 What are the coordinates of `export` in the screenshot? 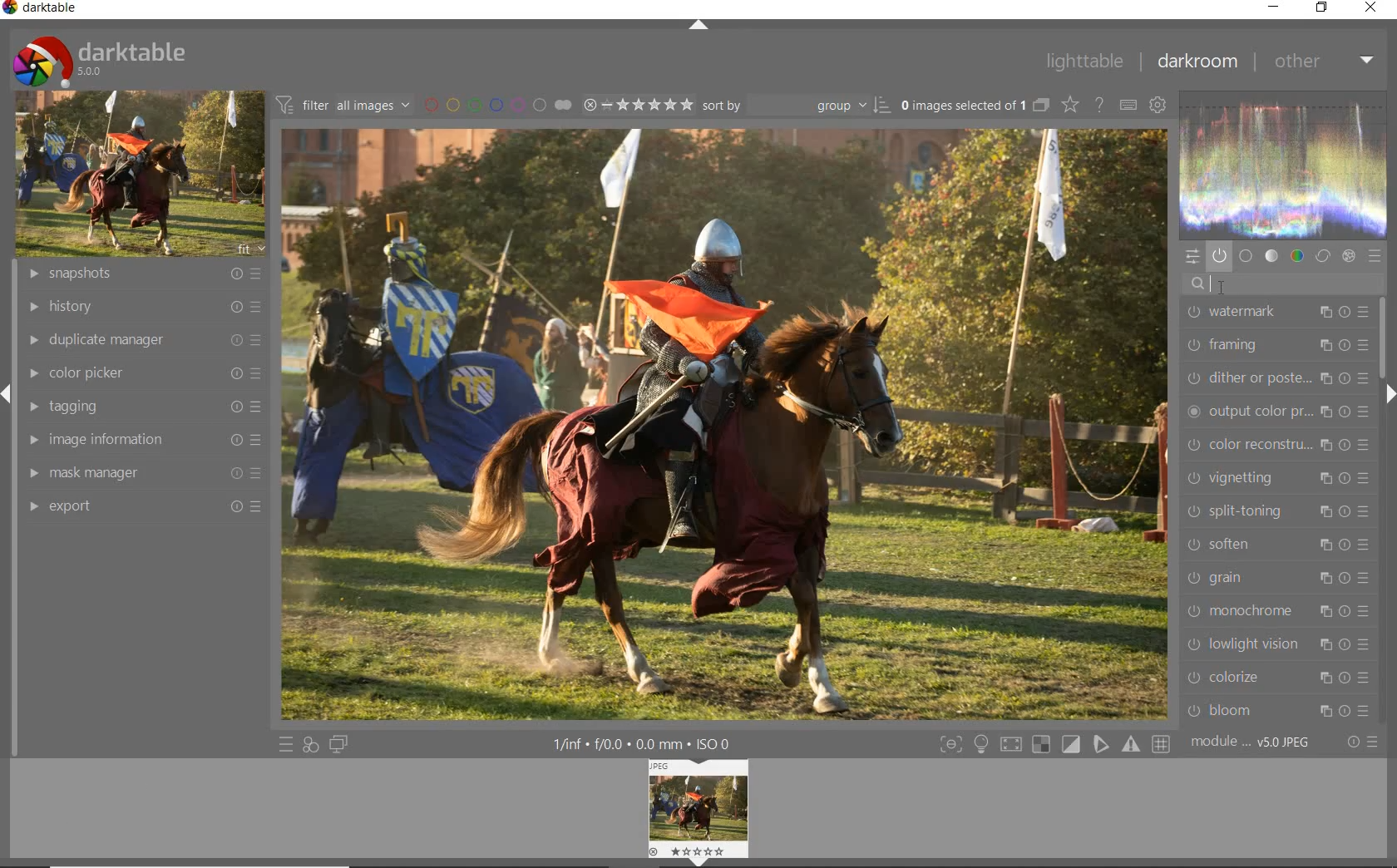 It's located at (141, 506).